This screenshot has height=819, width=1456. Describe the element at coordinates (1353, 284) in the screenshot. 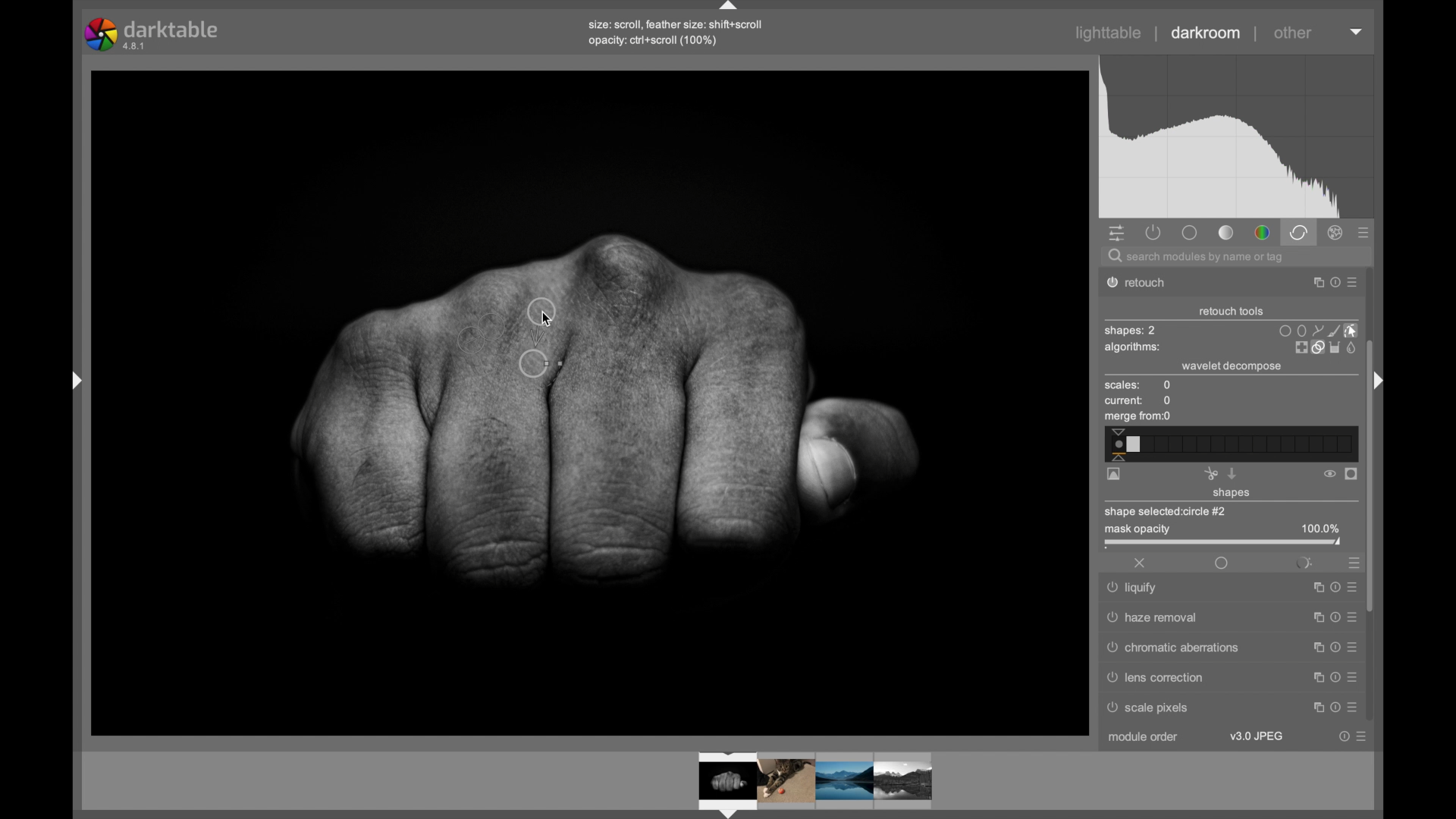

I see `more options` at that location.